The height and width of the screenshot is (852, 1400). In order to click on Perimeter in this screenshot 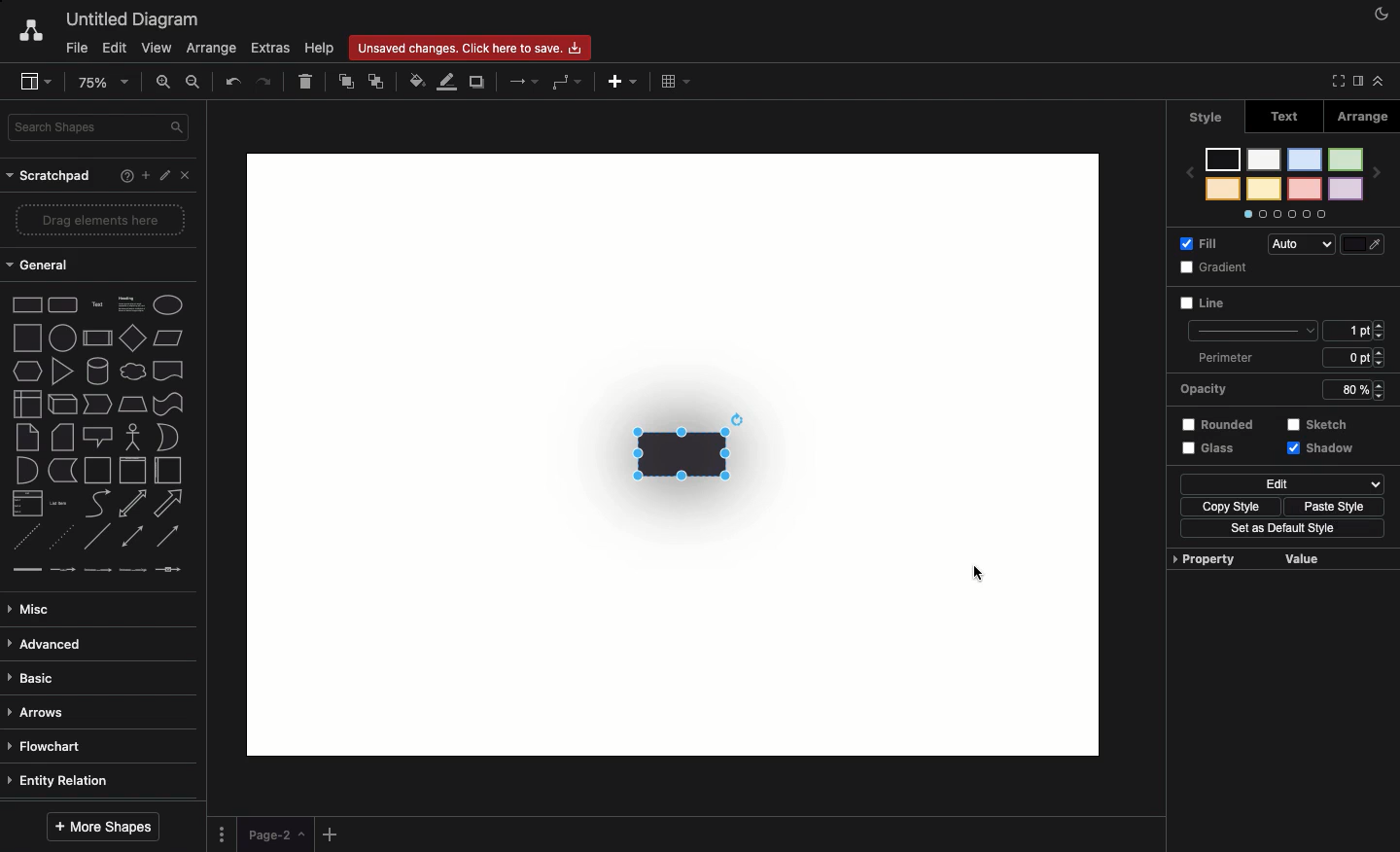, I will do `click(1232, 357)`.